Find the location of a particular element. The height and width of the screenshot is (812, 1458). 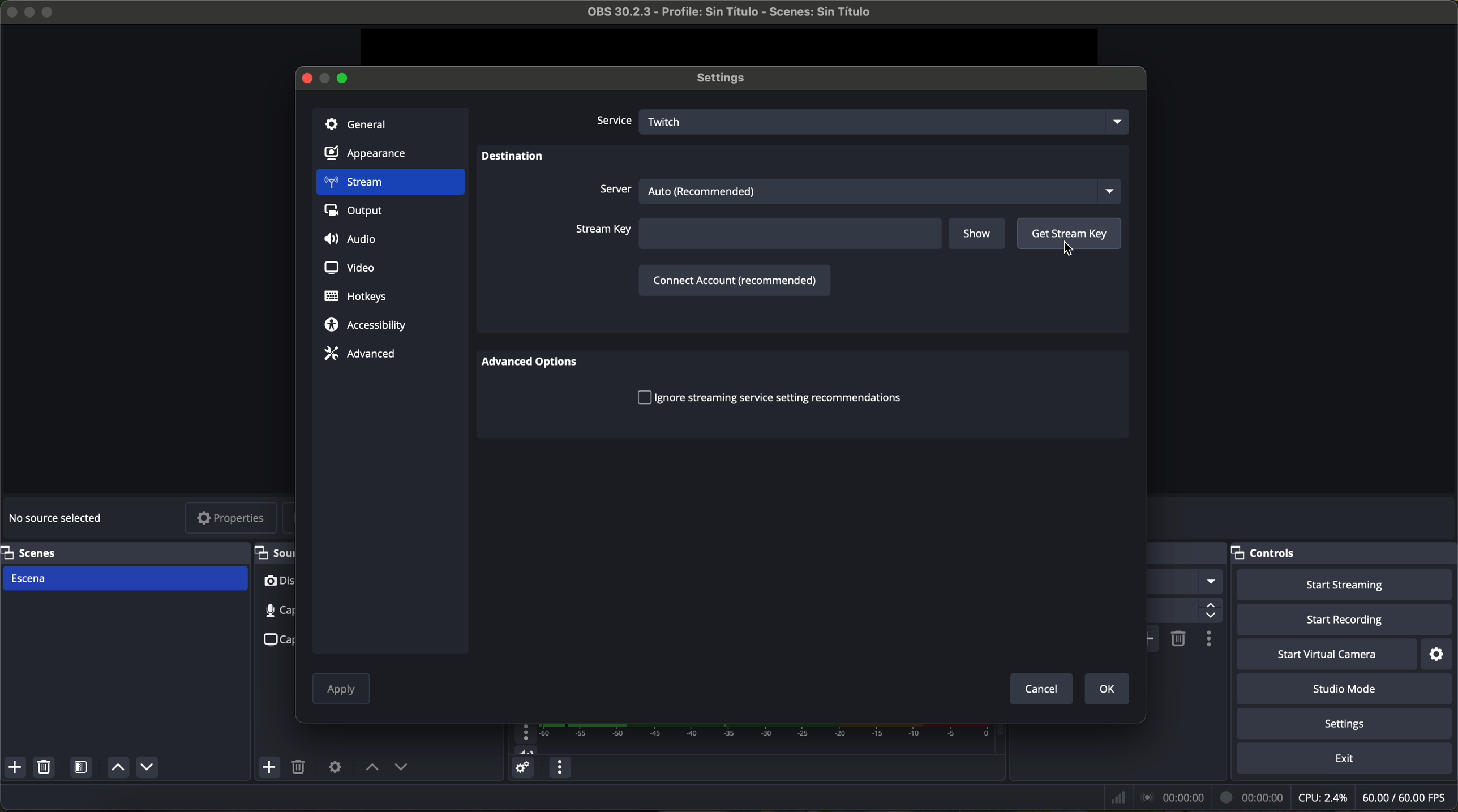

settings is located at coordinates (1347, 725).